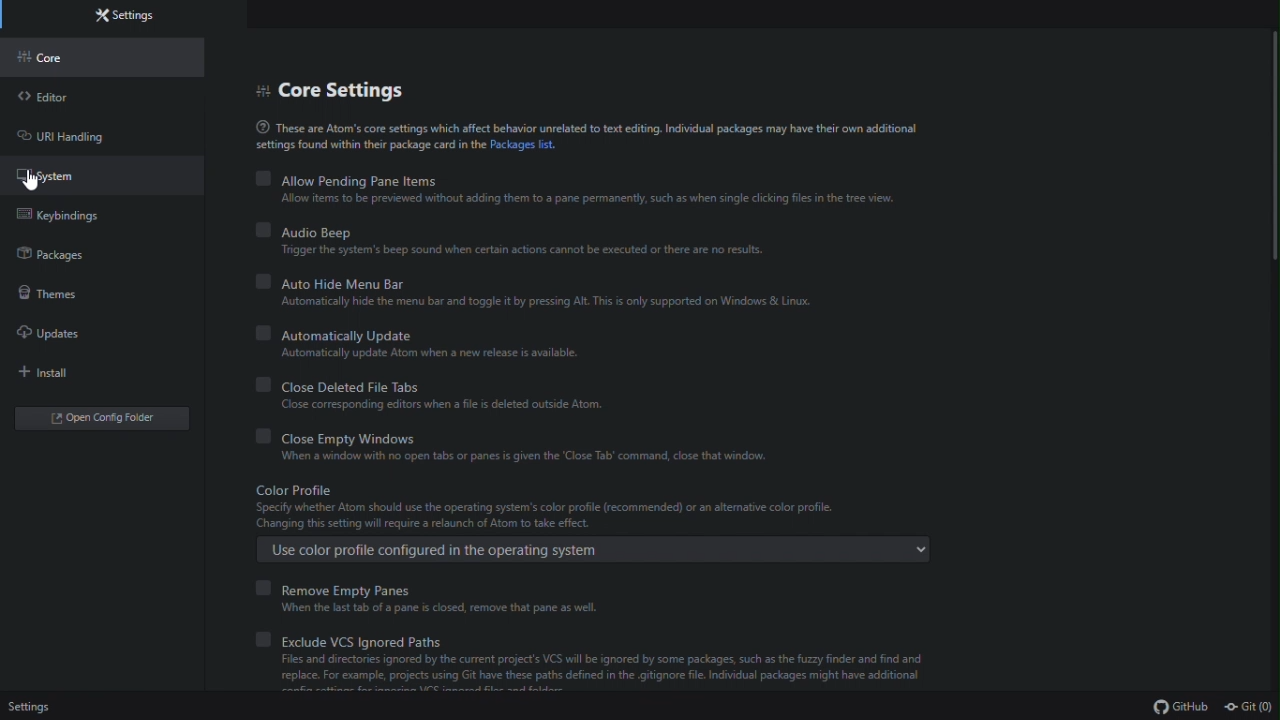  What do you see at coordinates (588, 550) in the screenshot?
I see `Use color profile configured in the operating system .` at bounding box center [588, 550].